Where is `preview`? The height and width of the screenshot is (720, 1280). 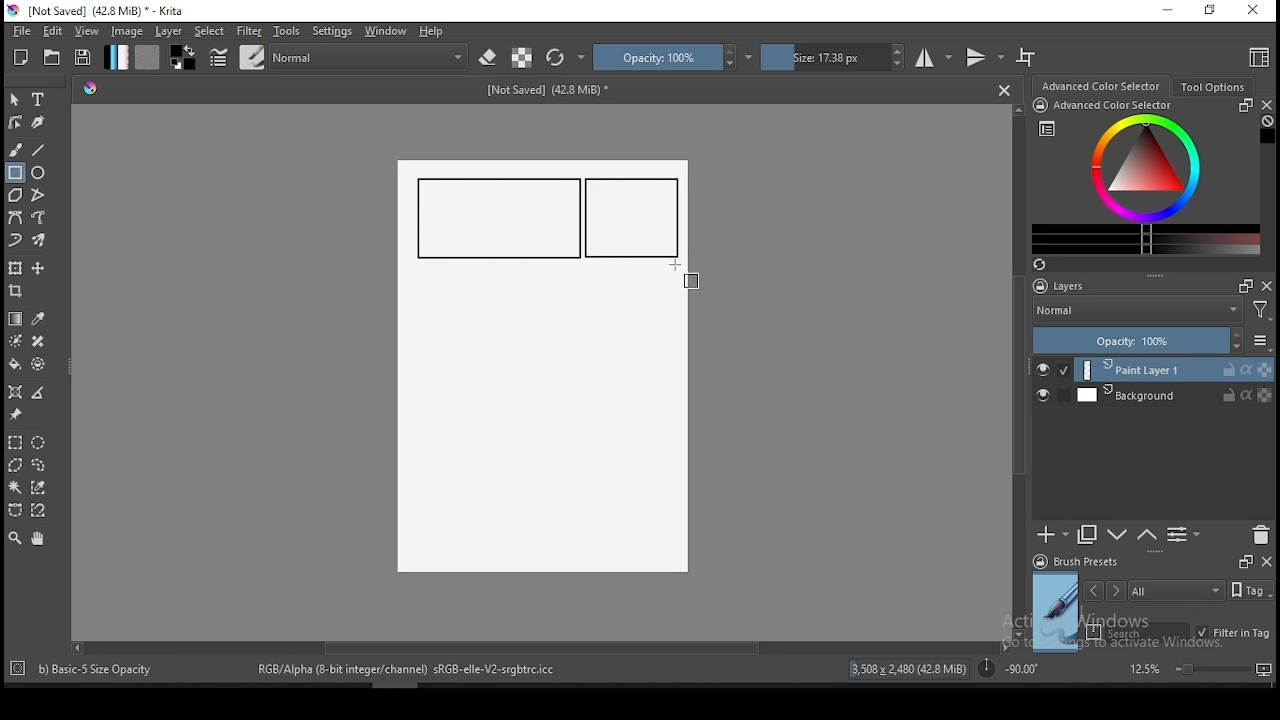
preview is located at coordinates (1056, 612).